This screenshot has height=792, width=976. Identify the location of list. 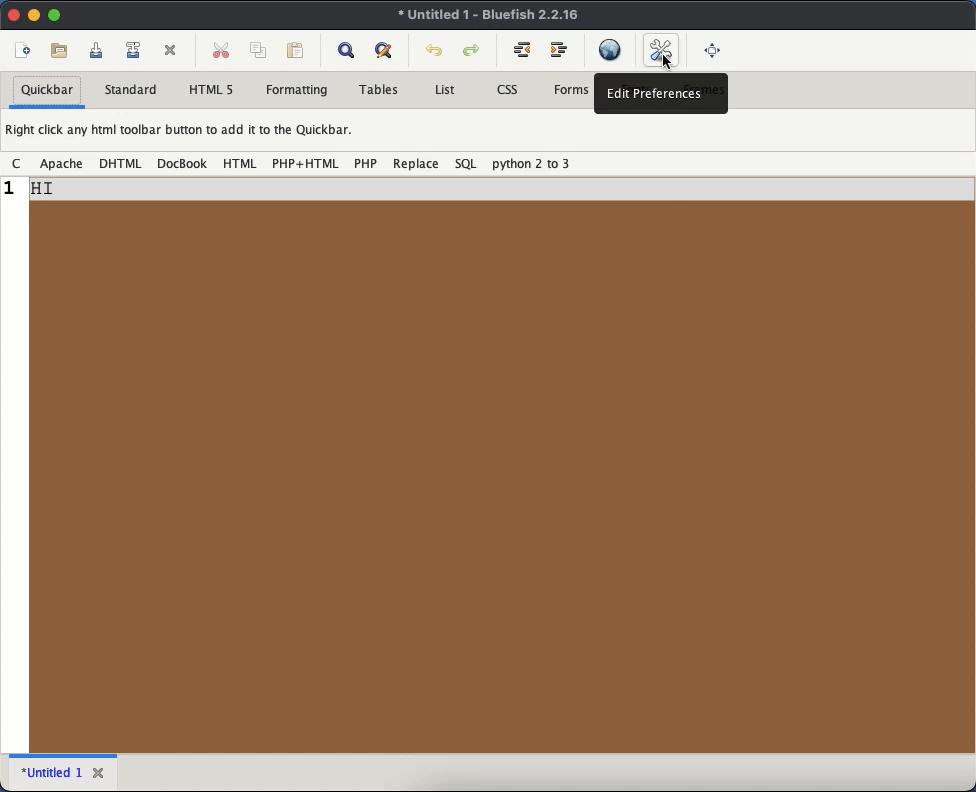
(445, 89).